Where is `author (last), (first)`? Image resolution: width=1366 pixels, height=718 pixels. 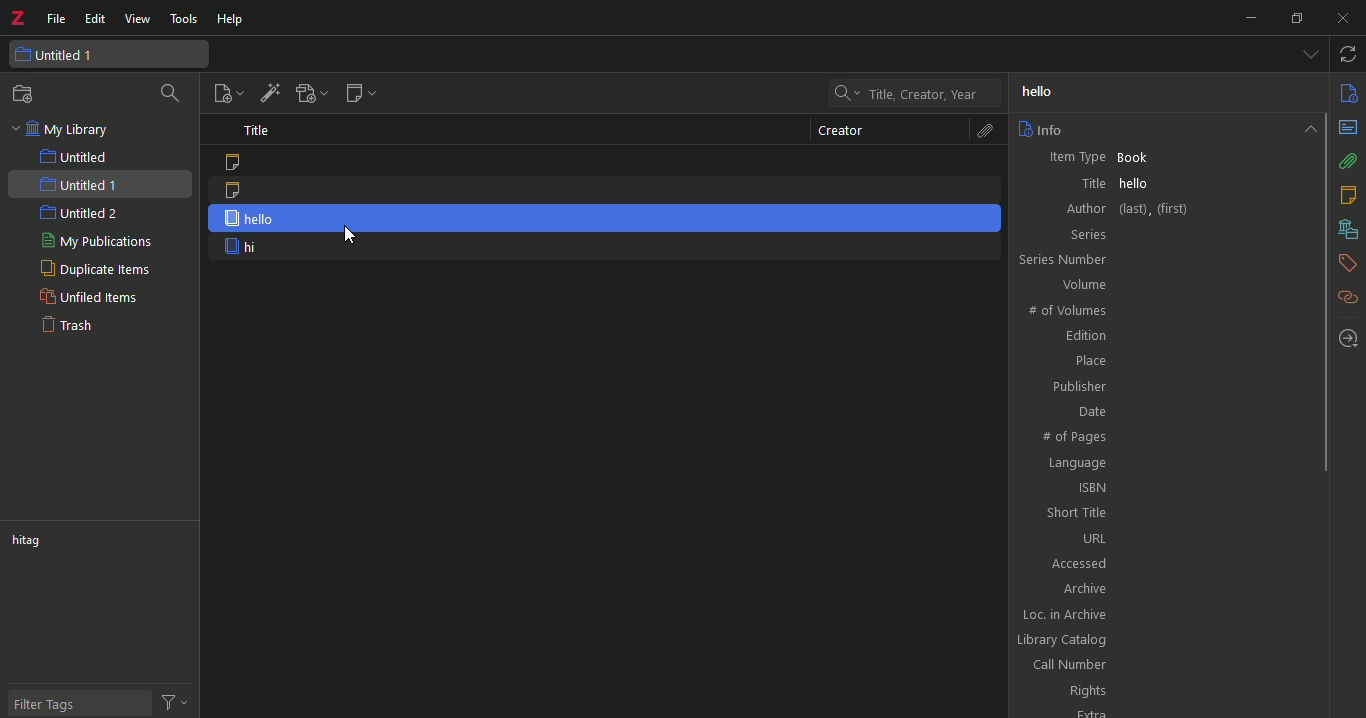
author (last), (first) is located at coordinates (1134, 211).